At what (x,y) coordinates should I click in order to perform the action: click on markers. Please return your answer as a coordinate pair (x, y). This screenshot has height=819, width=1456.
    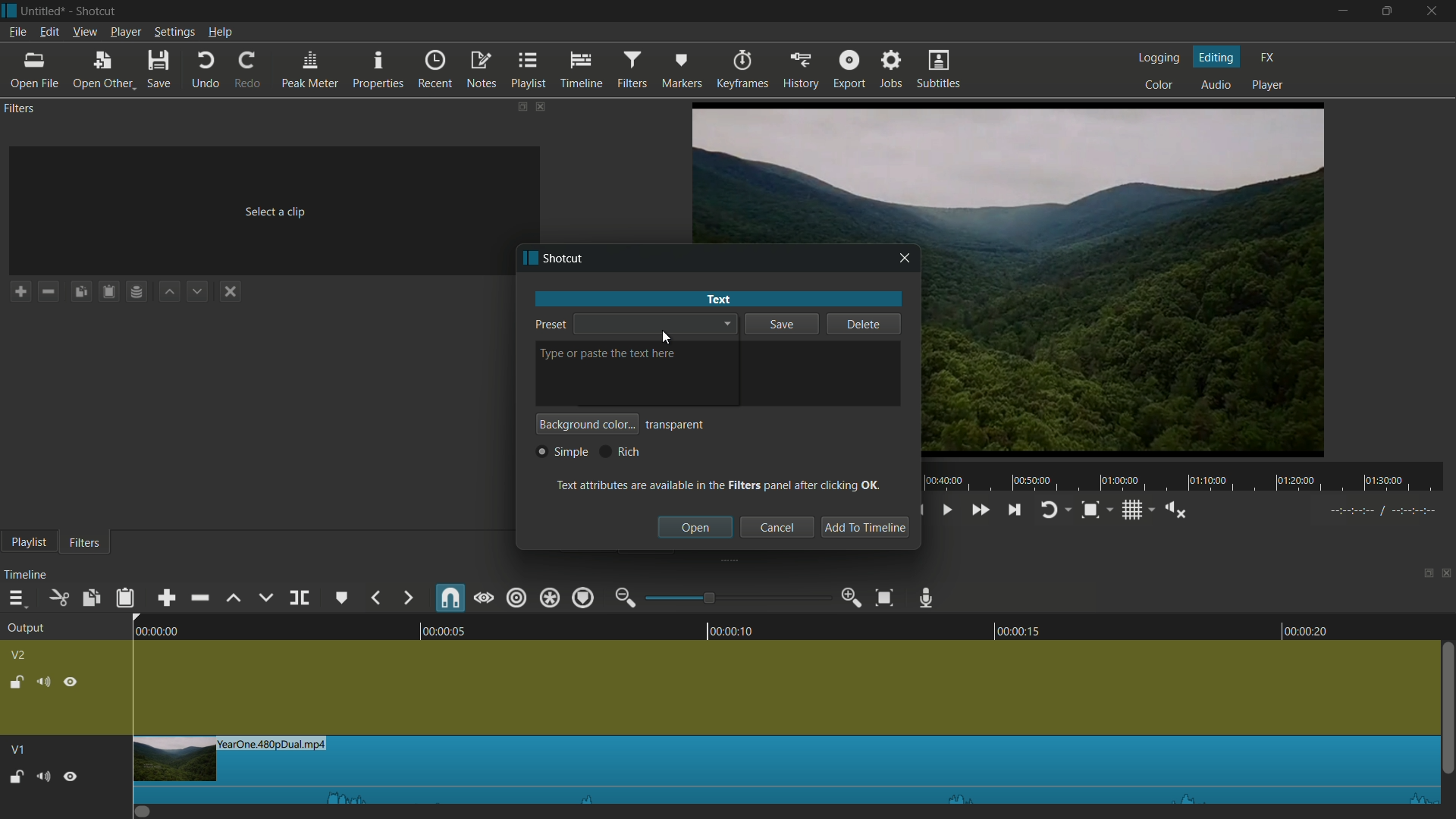
    Looking at the image, I should click on (680, 71).